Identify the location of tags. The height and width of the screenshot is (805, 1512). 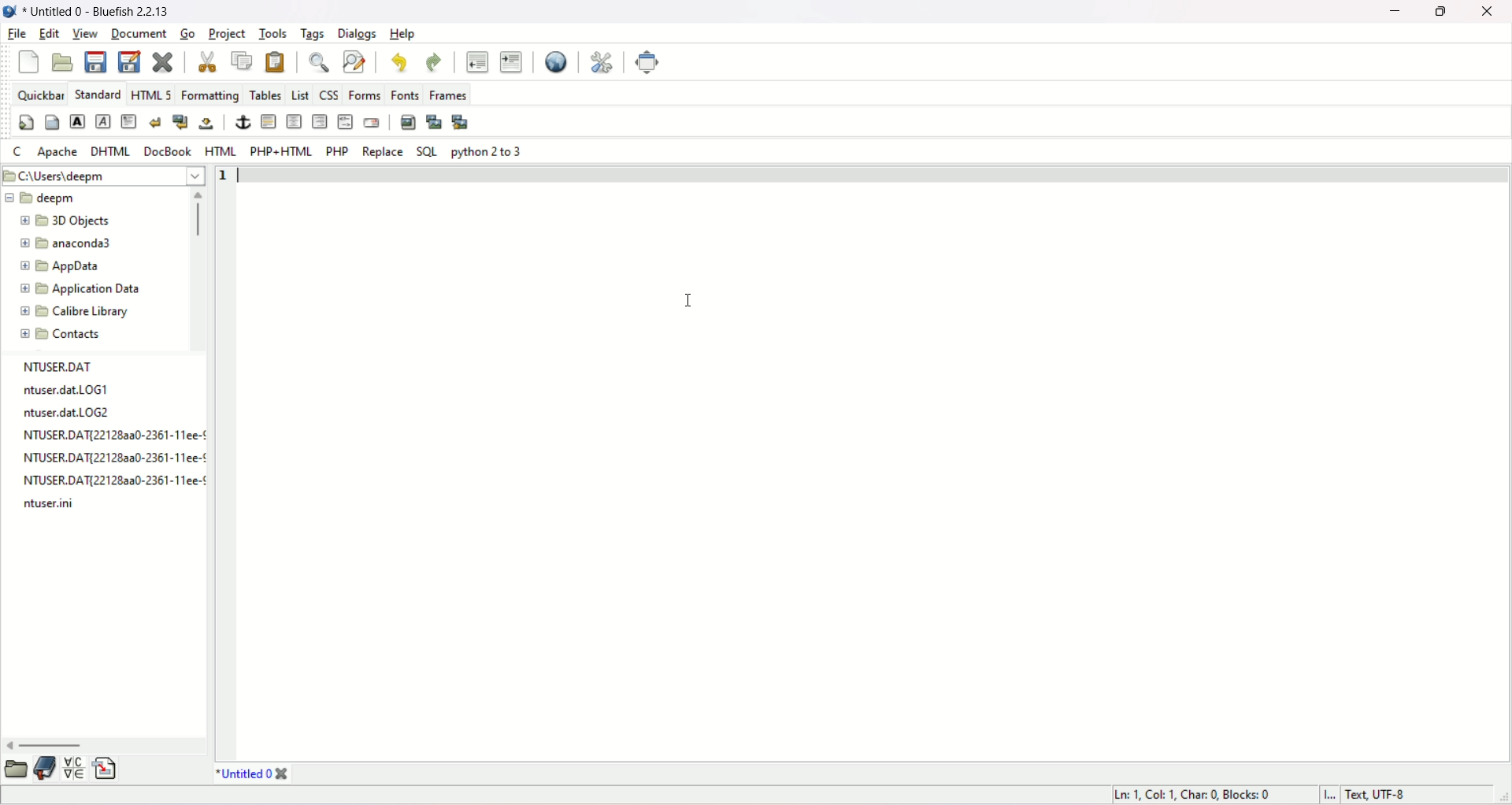
(314, 35).